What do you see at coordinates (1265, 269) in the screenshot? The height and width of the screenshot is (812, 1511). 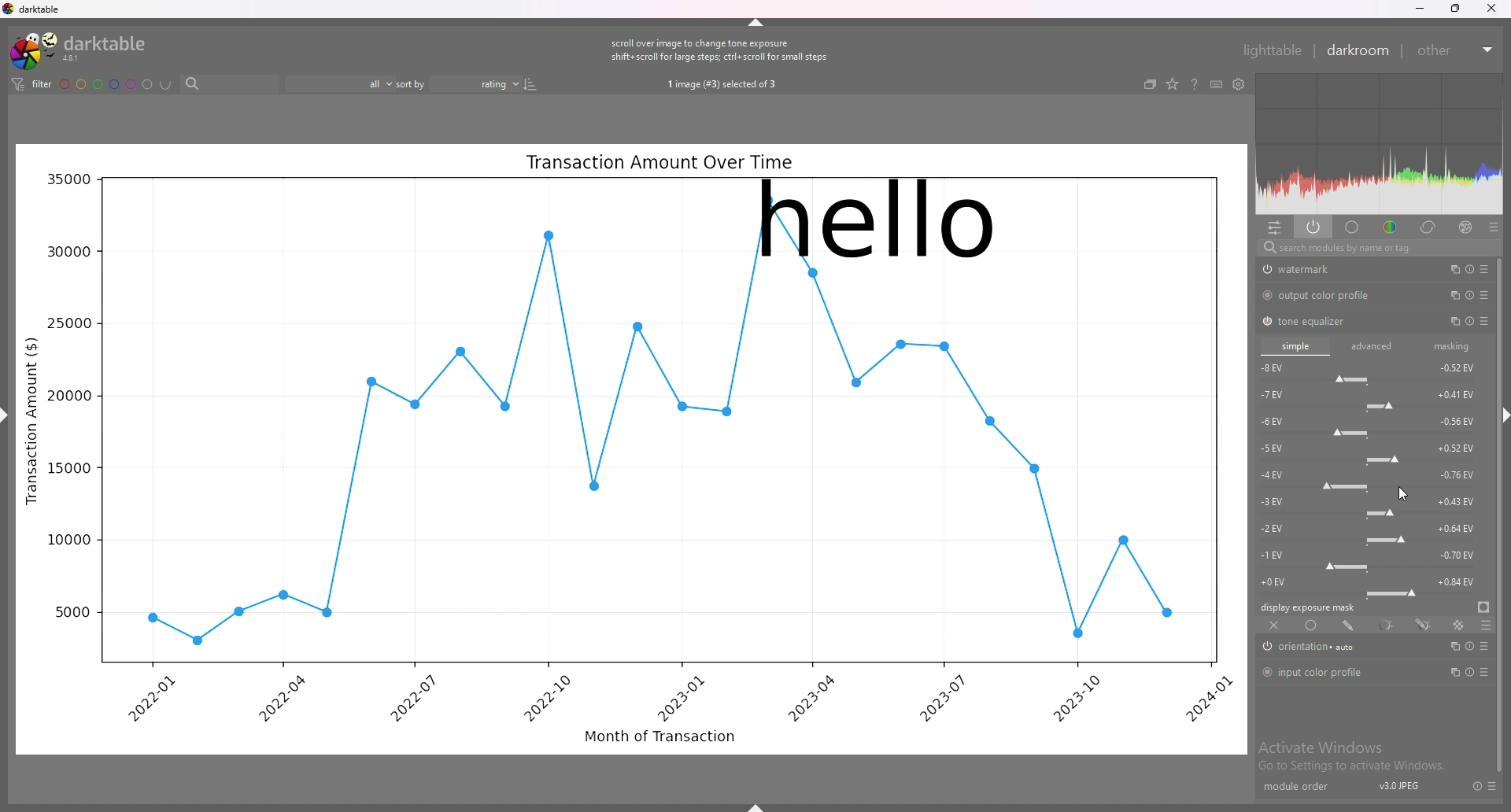 I see `swtich off/on` at bounding box center [1265, 269].